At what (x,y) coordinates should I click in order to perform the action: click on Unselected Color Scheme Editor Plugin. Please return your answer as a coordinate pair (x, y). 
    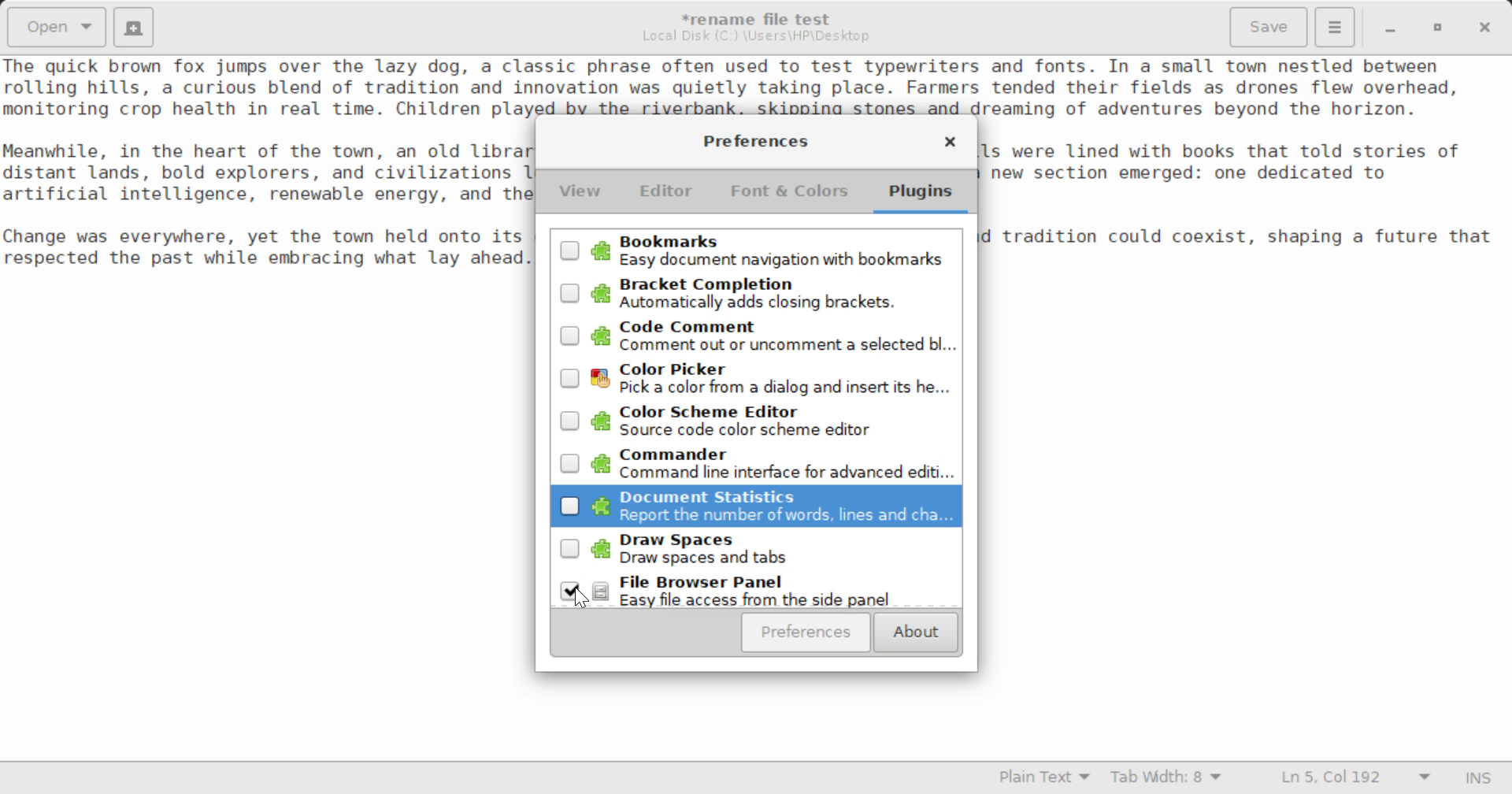
    Looking at the image, I should click on (756, 422).